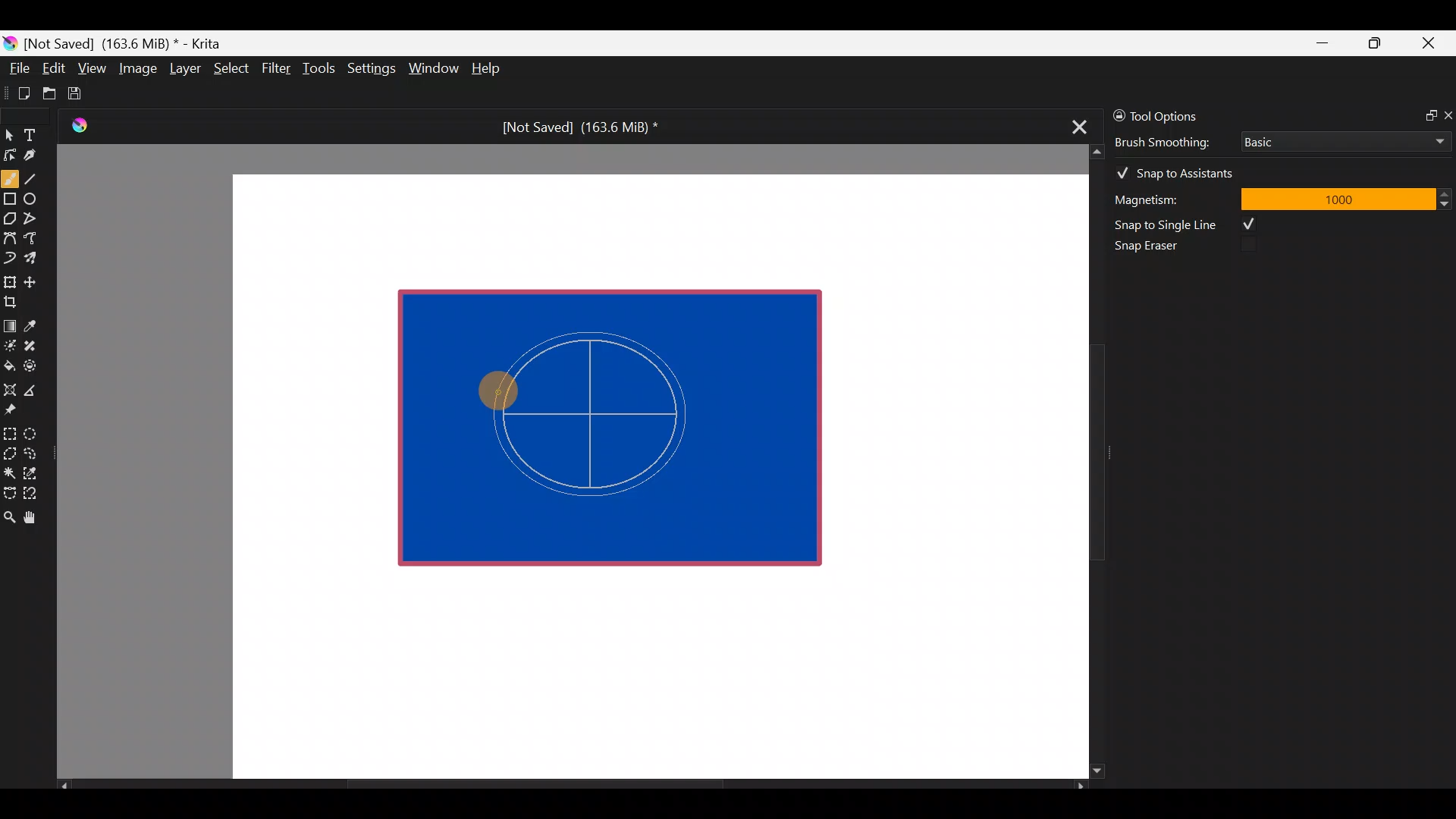  Describe the element at coordinates (11, 258) in the screenshot. I see `Dynamic brush tool` at that location.